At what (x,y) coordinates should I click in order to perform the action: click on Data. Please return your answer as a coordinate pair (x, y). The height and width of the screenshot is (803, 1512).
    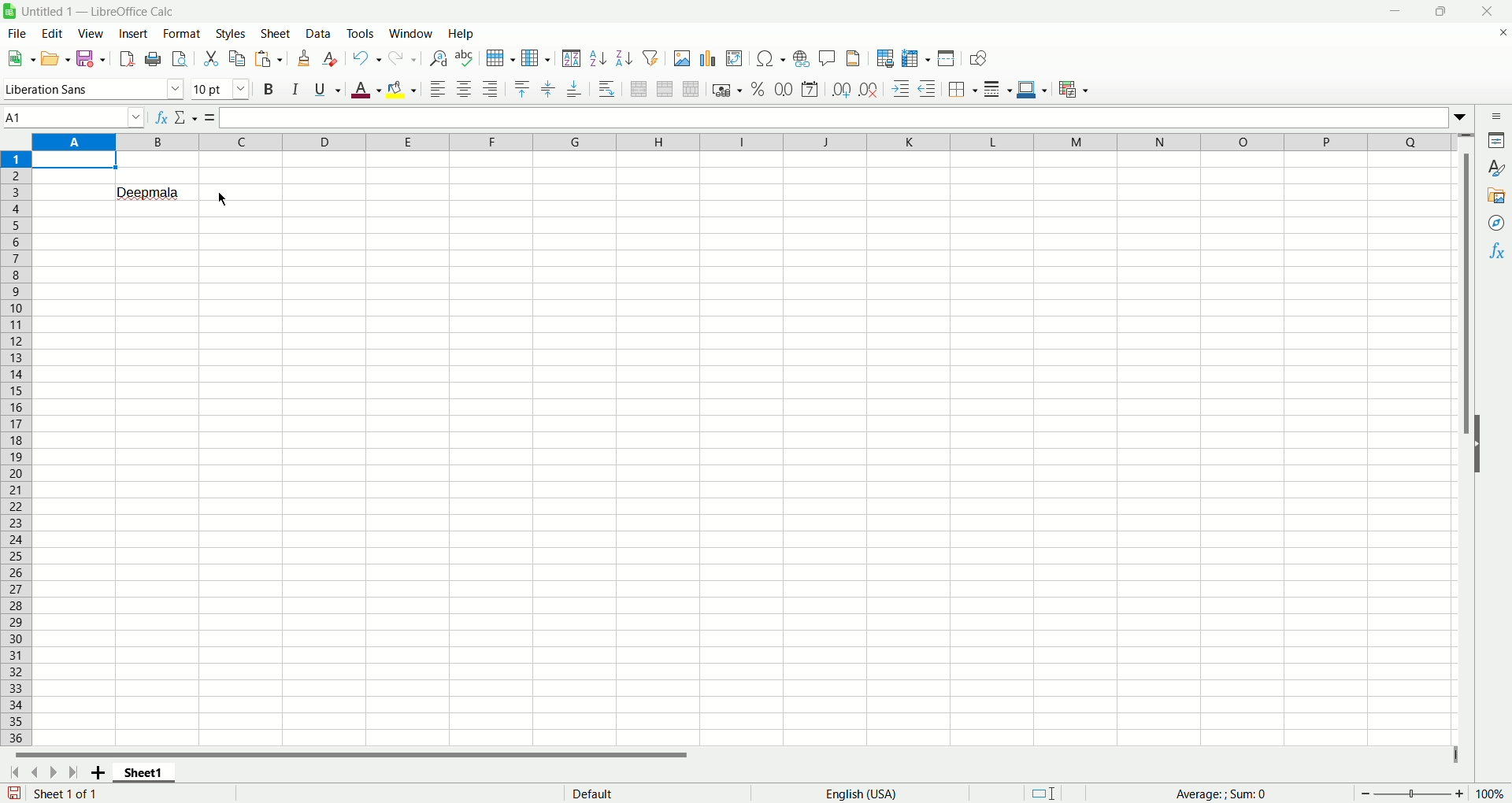
    Looking at the image, I should click on (321, 33).